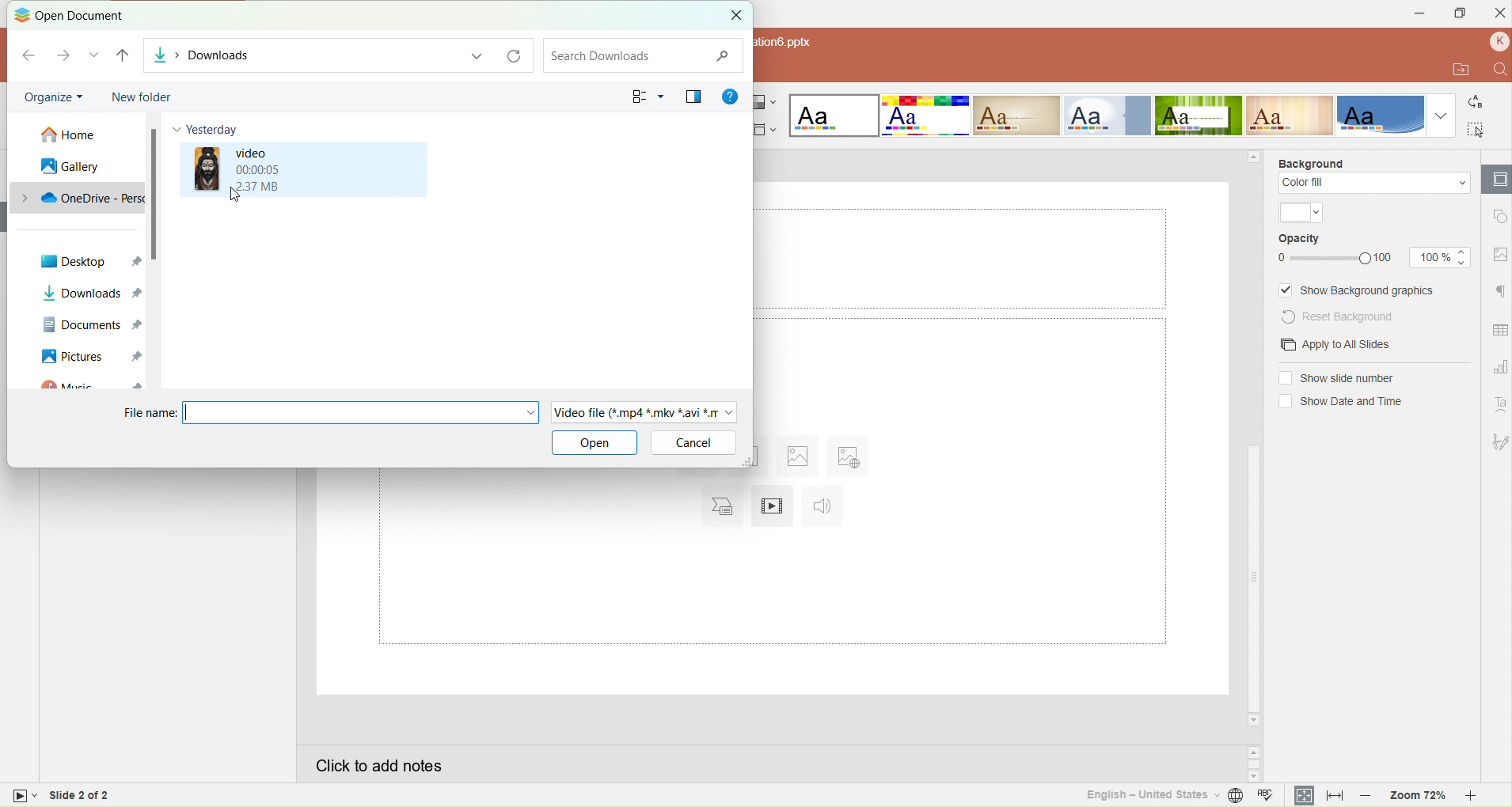 Image resolution: width=1512 pixels, height=807 pixels. I want to click on Maximize, so click(1459, 15).